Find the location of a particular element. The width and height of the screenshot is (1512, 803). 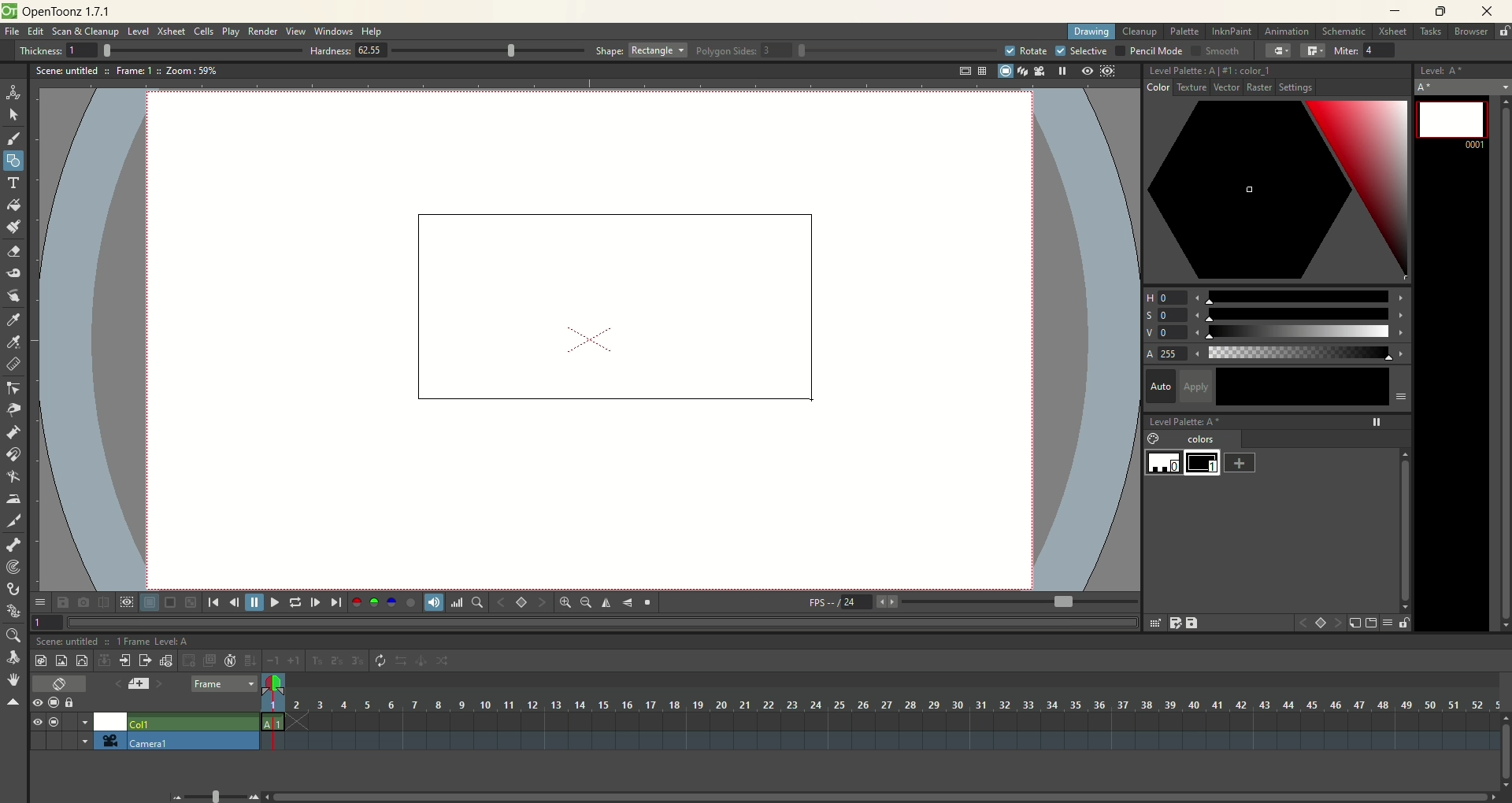

new raster level is located at coordinates (61, 660).